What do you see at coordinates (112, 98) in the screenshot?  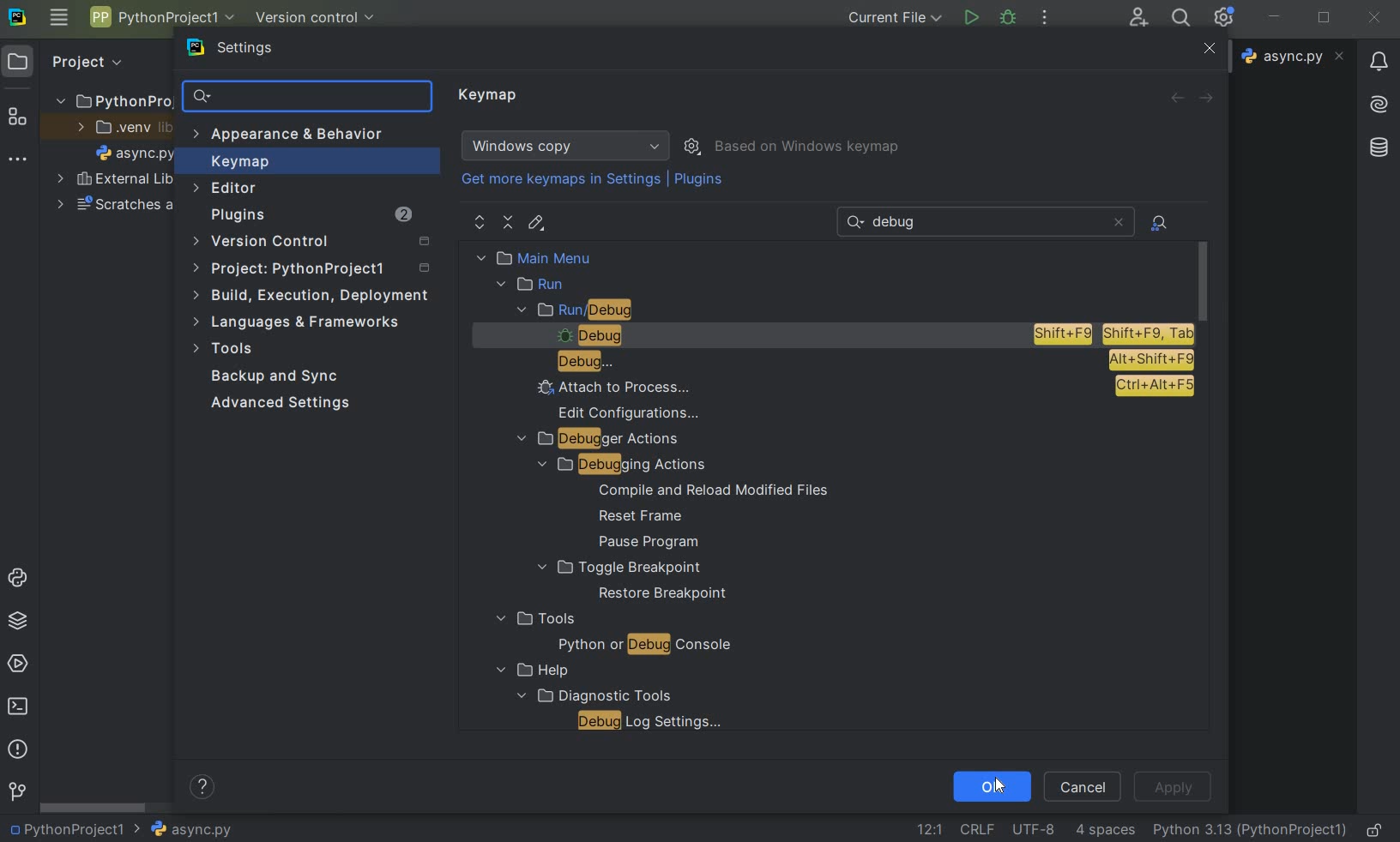 I see `project name` at bounding box center [112, 98].